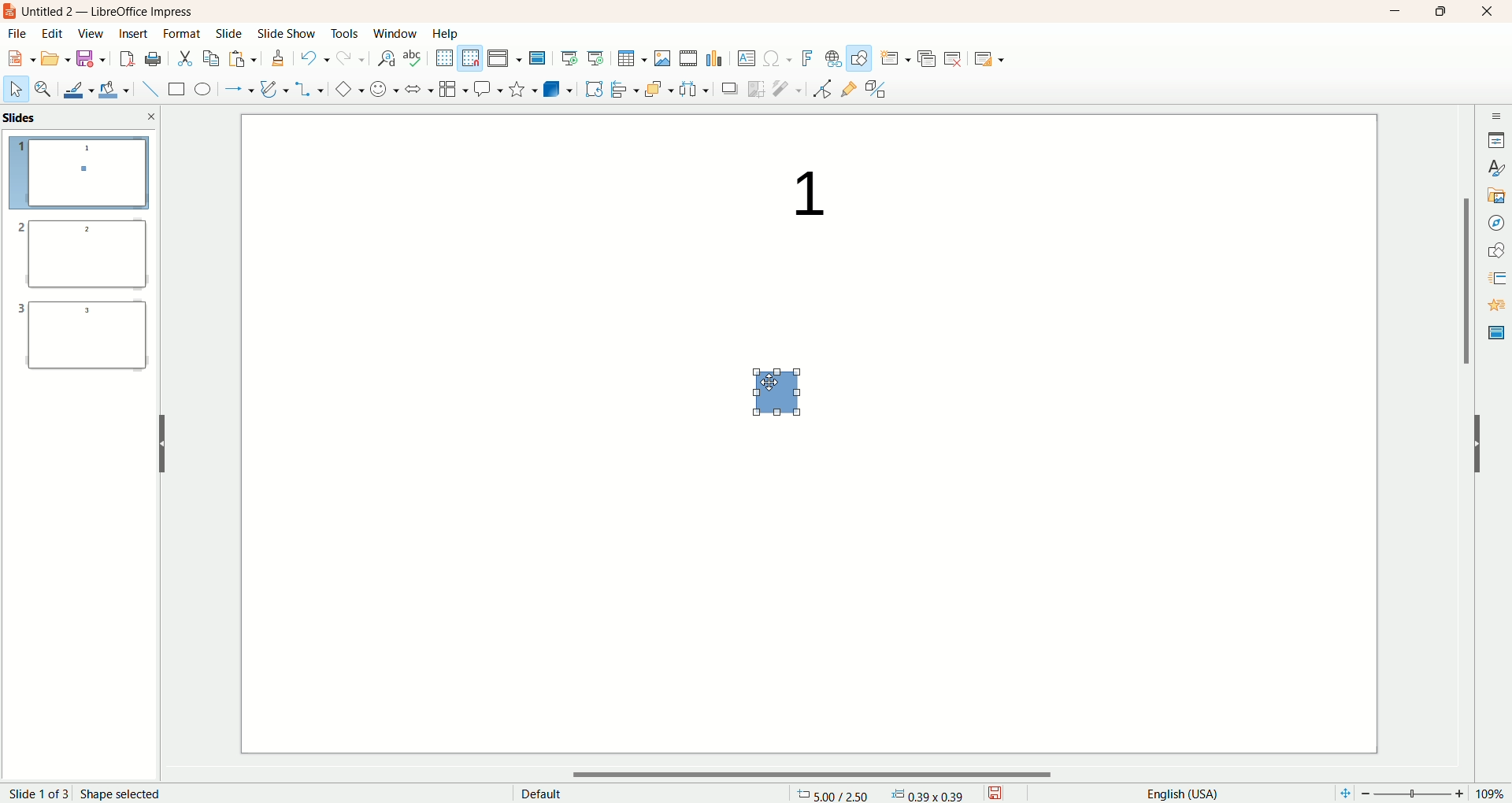 This screenshot has height=803, width=1512. What do you see at coordinates (795, 195) in the screenshot?
I see `text` at bounding box center [795, 195].